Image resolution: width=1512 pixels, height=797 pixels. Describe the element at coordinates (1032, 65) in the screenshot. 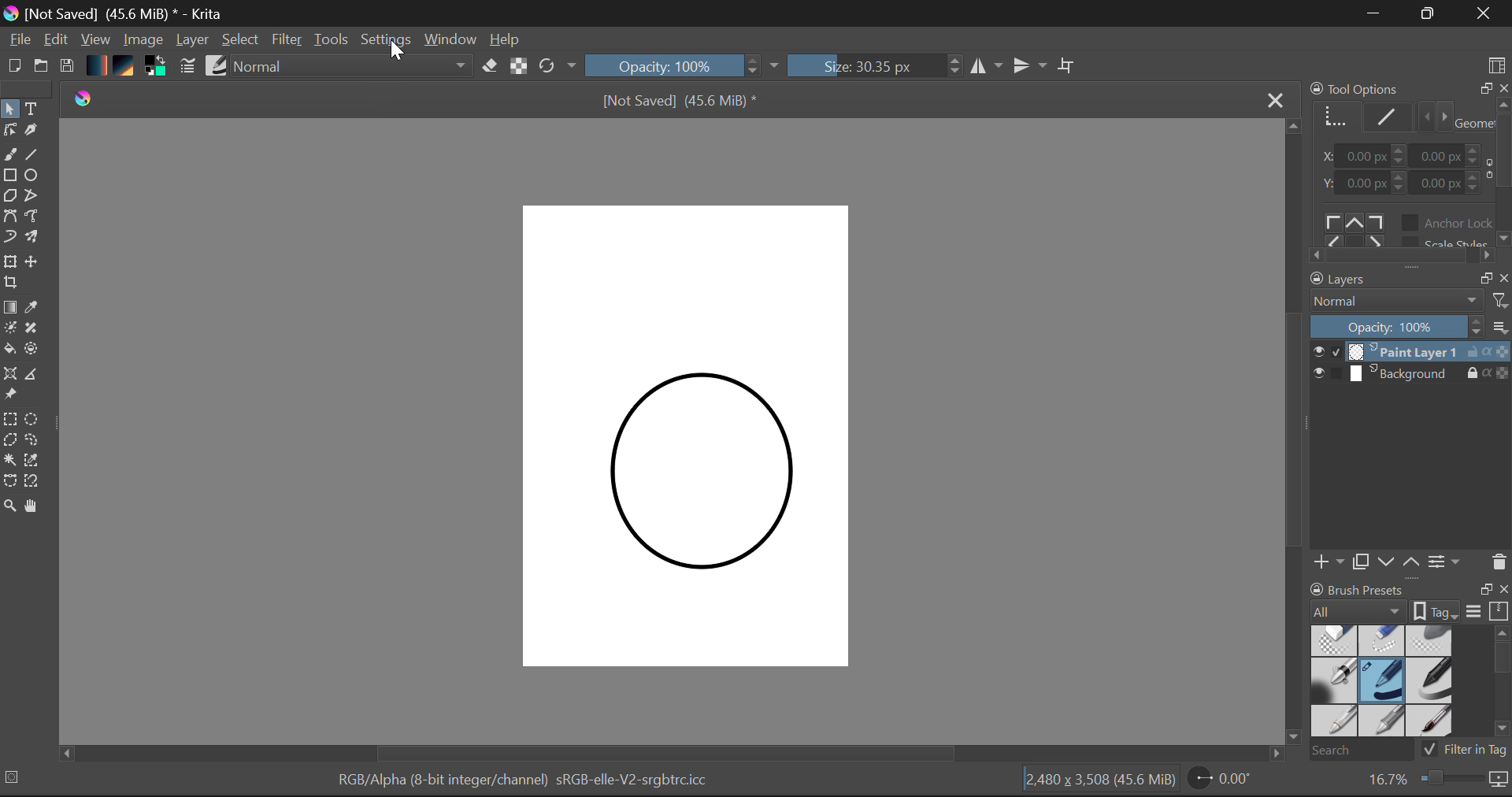

I see `Horizontal Mirror Flip` at that location.